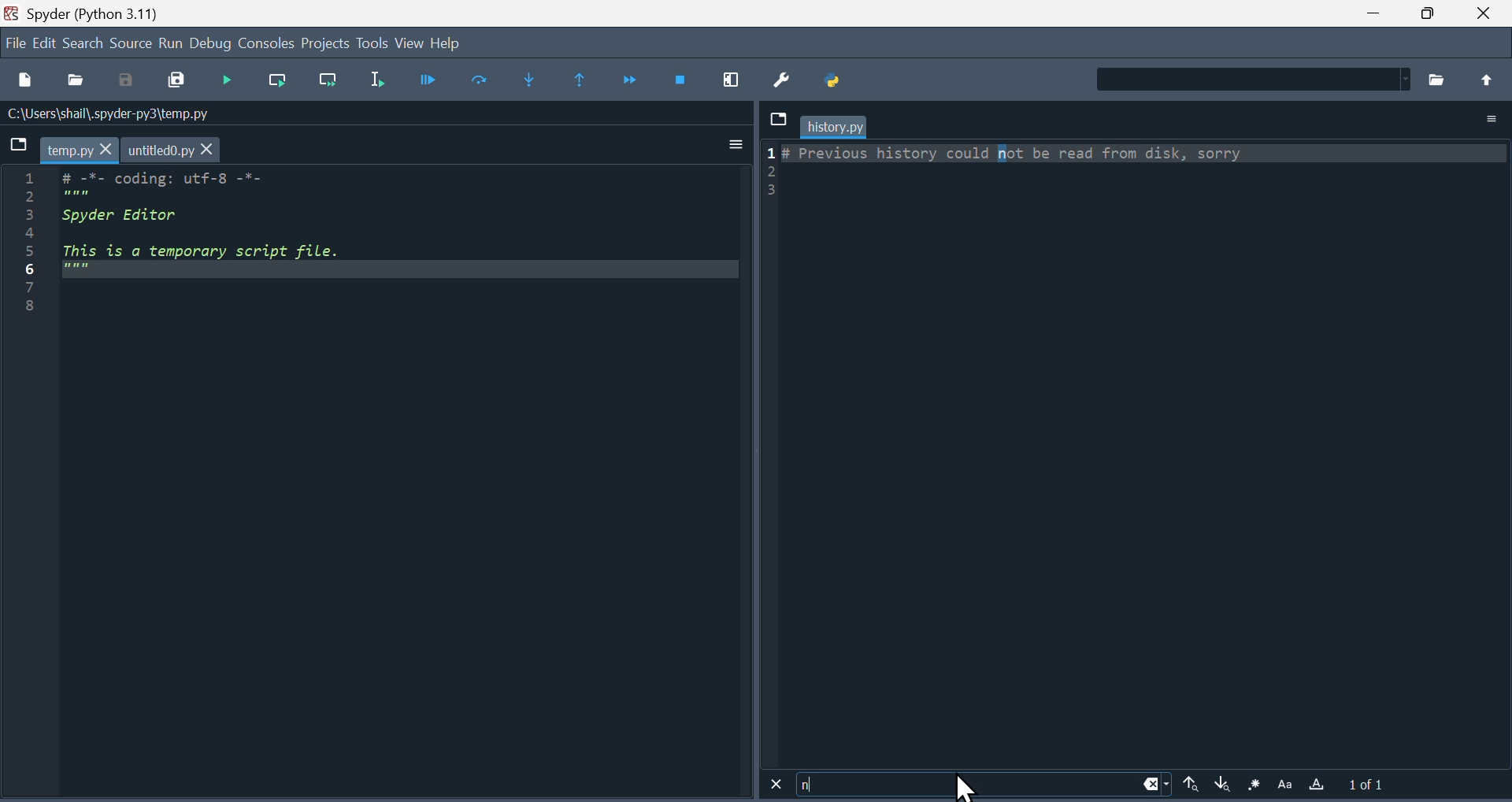 This screenshot has width=1512, height=802. What do you see at coordinates (790, 79) in the screenshot?
I see `Preferences` at bounding box center [790, 79].